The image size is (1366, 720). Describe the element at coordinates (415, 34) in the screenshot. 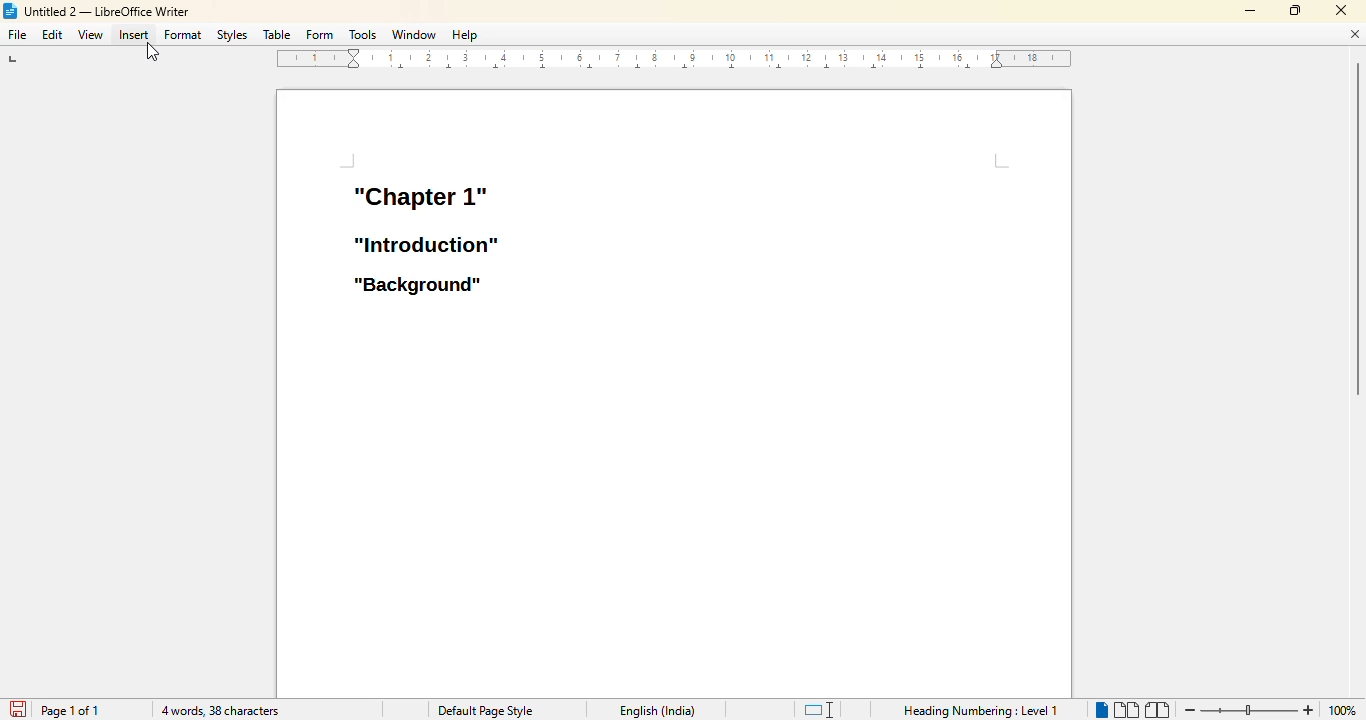

I see `window` at that location.